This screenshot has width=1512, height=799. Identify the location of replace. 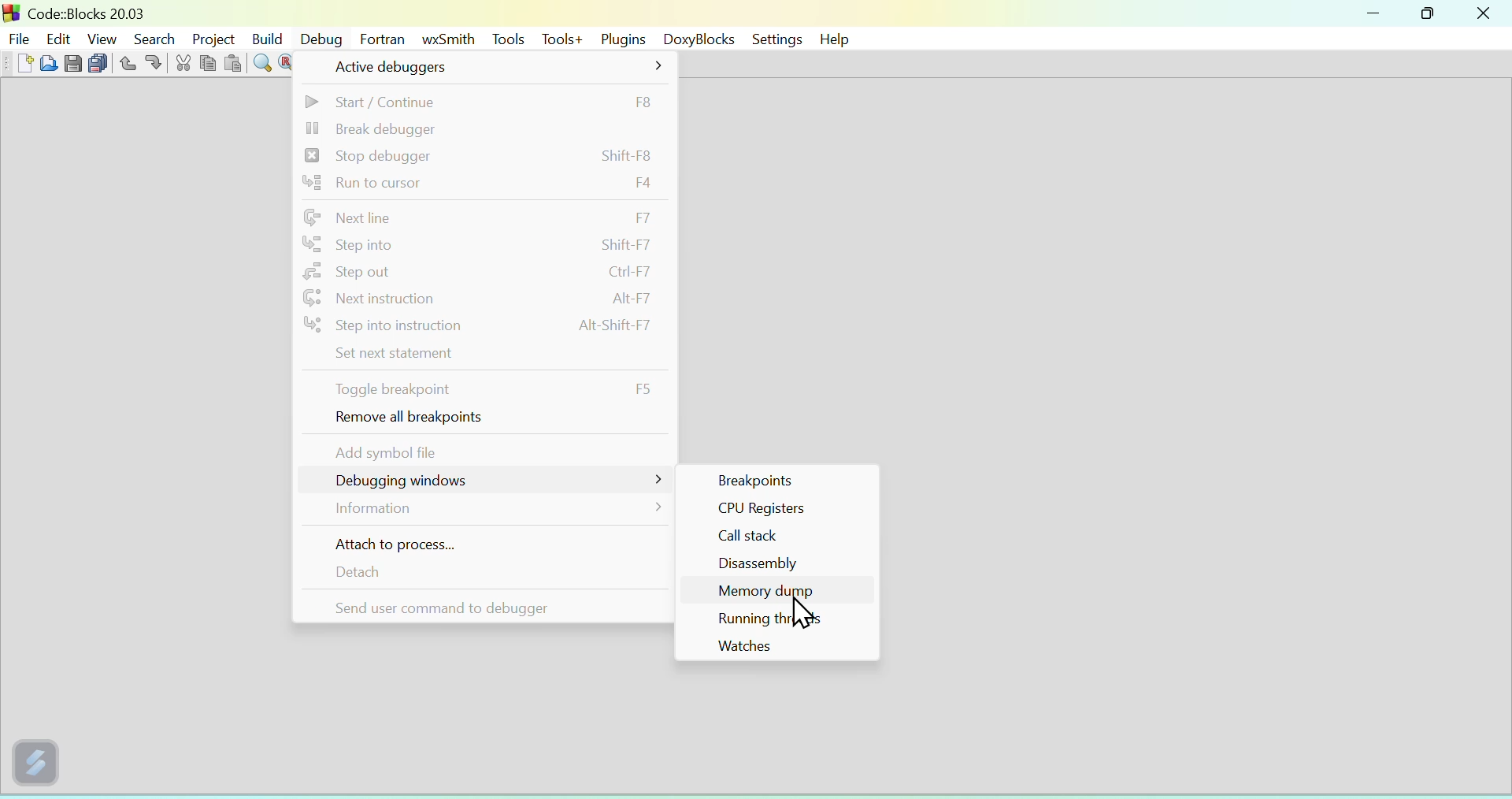
(287, 64).